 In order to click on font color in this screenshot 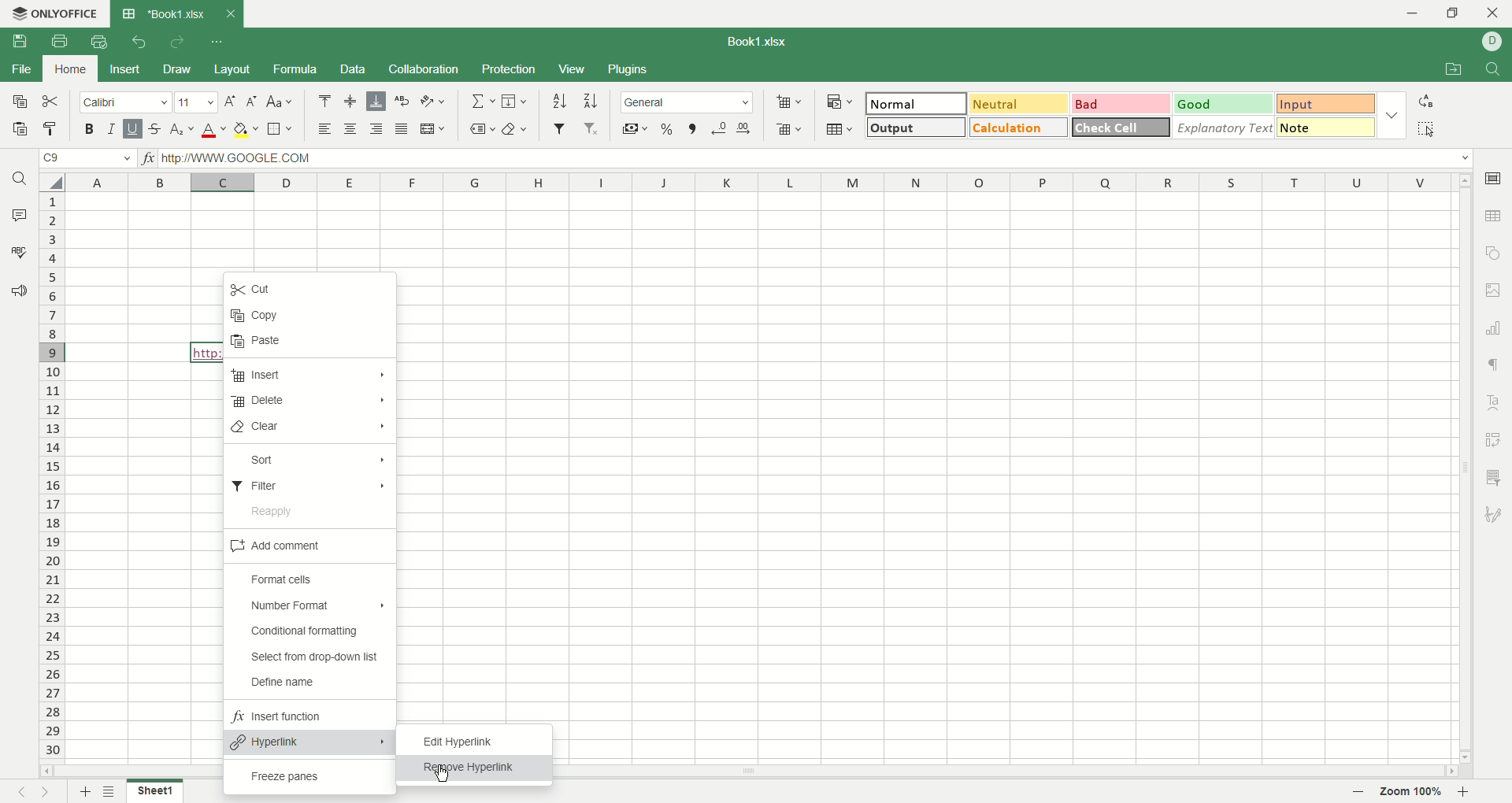, I will do `click(216, 129)`.